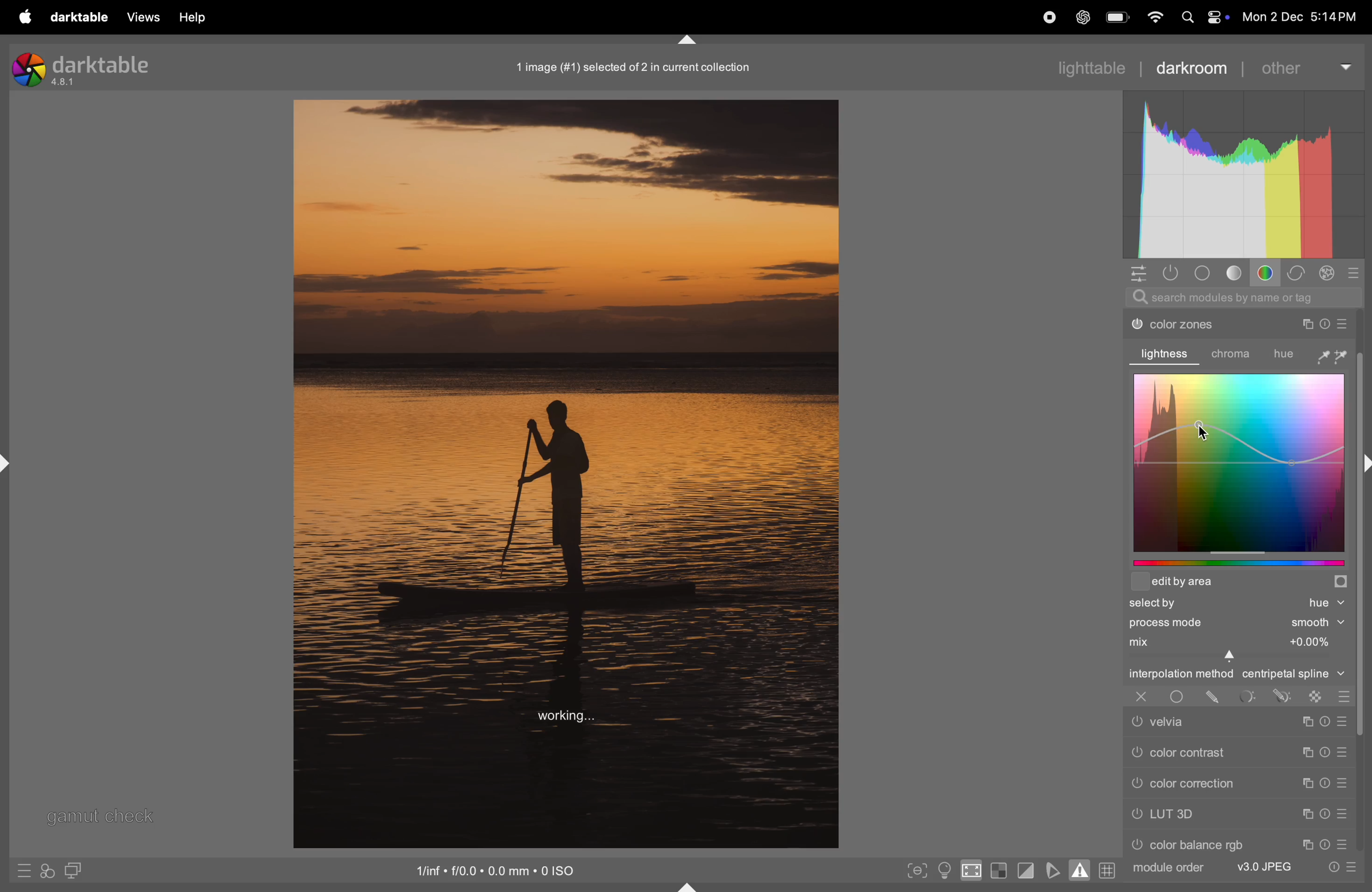 The height and width of the screenshot is (892, 1372). I want to click on Timer, so click(1325, 845).